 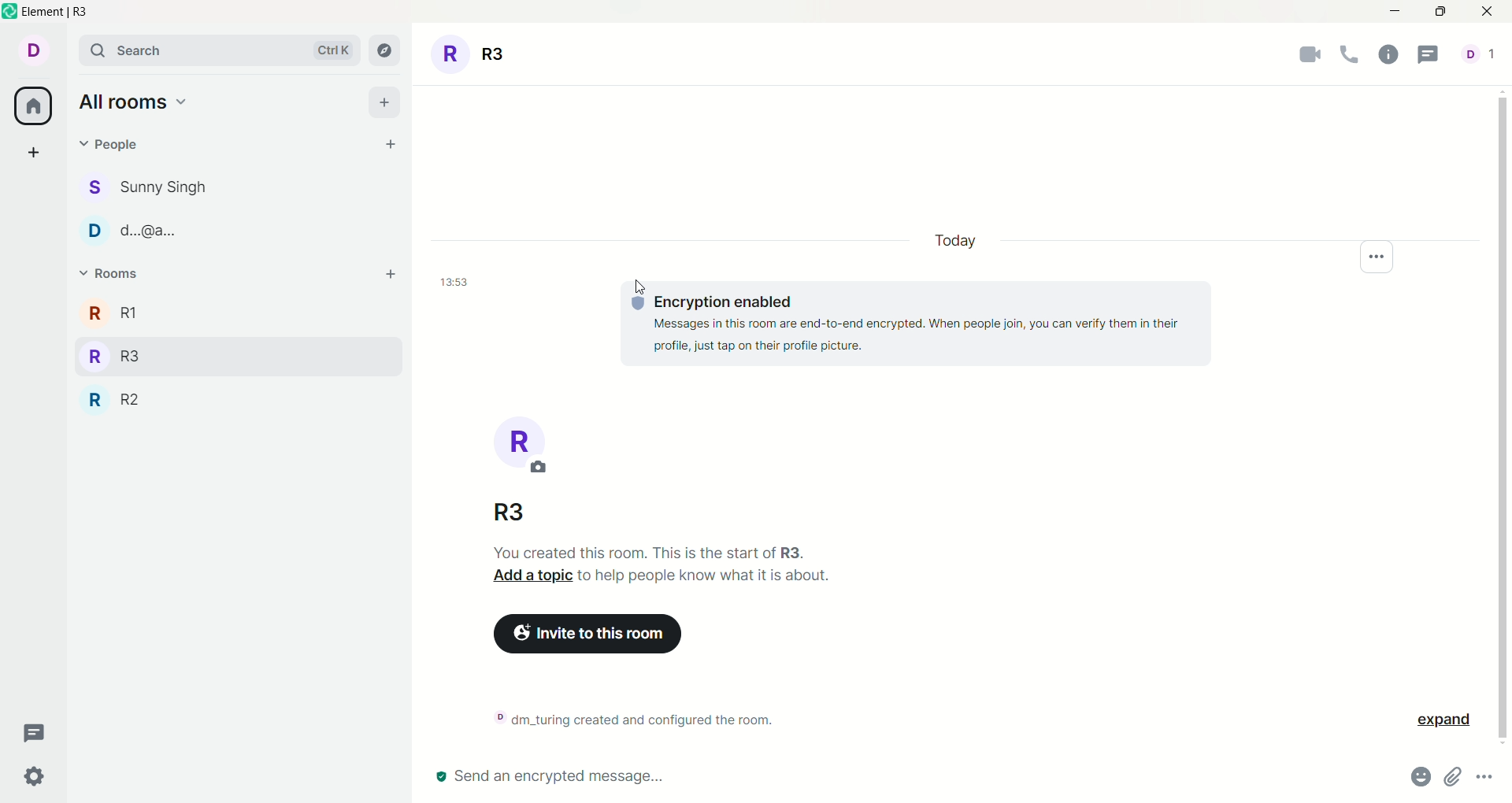 What do you see at coordinates (1436, 723) in the screenshot?
I see `expand` at bounding box center [1436, 723].